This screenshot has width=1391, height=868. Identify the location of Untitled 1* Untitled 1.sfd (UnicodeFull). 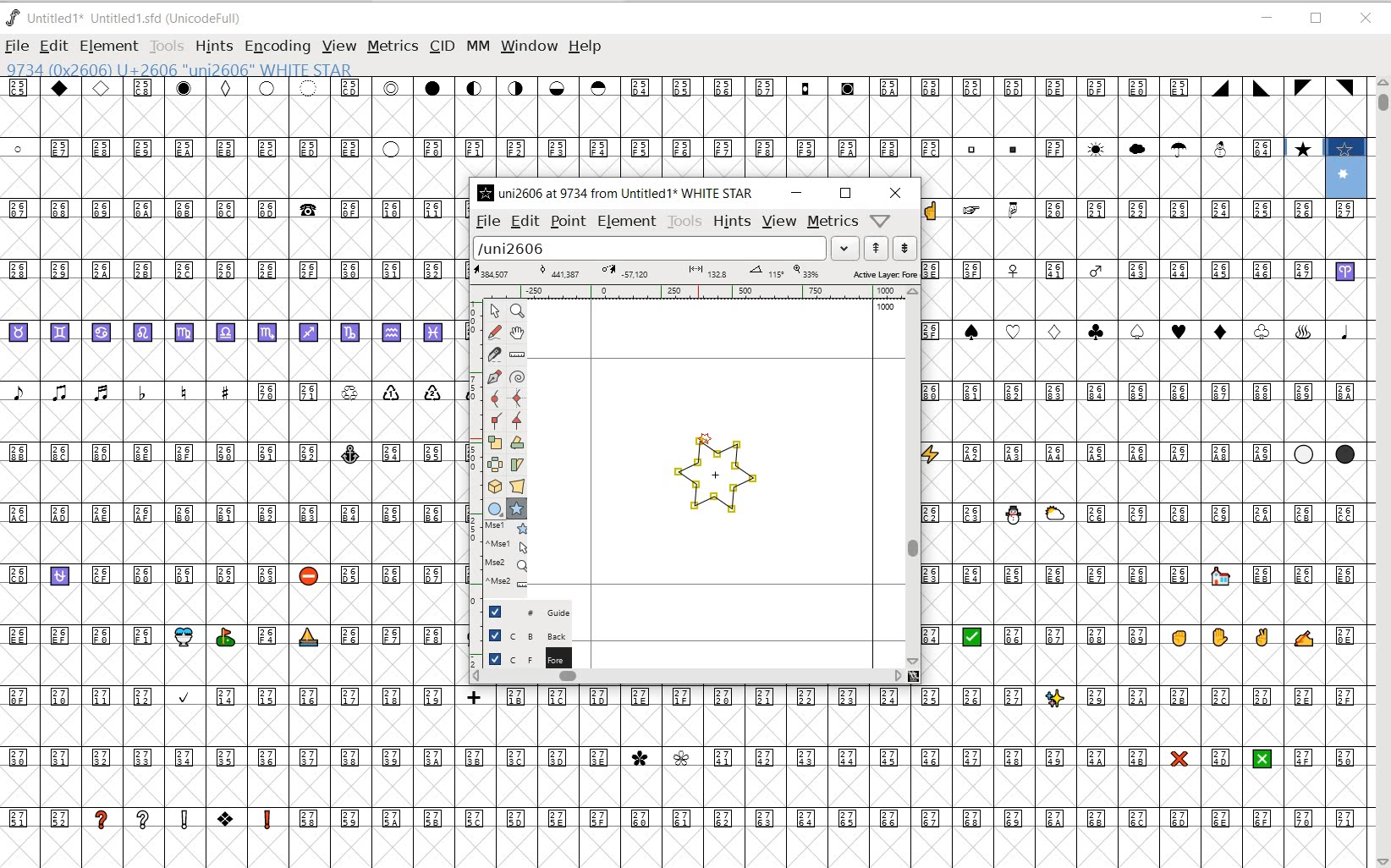
(130, 19).